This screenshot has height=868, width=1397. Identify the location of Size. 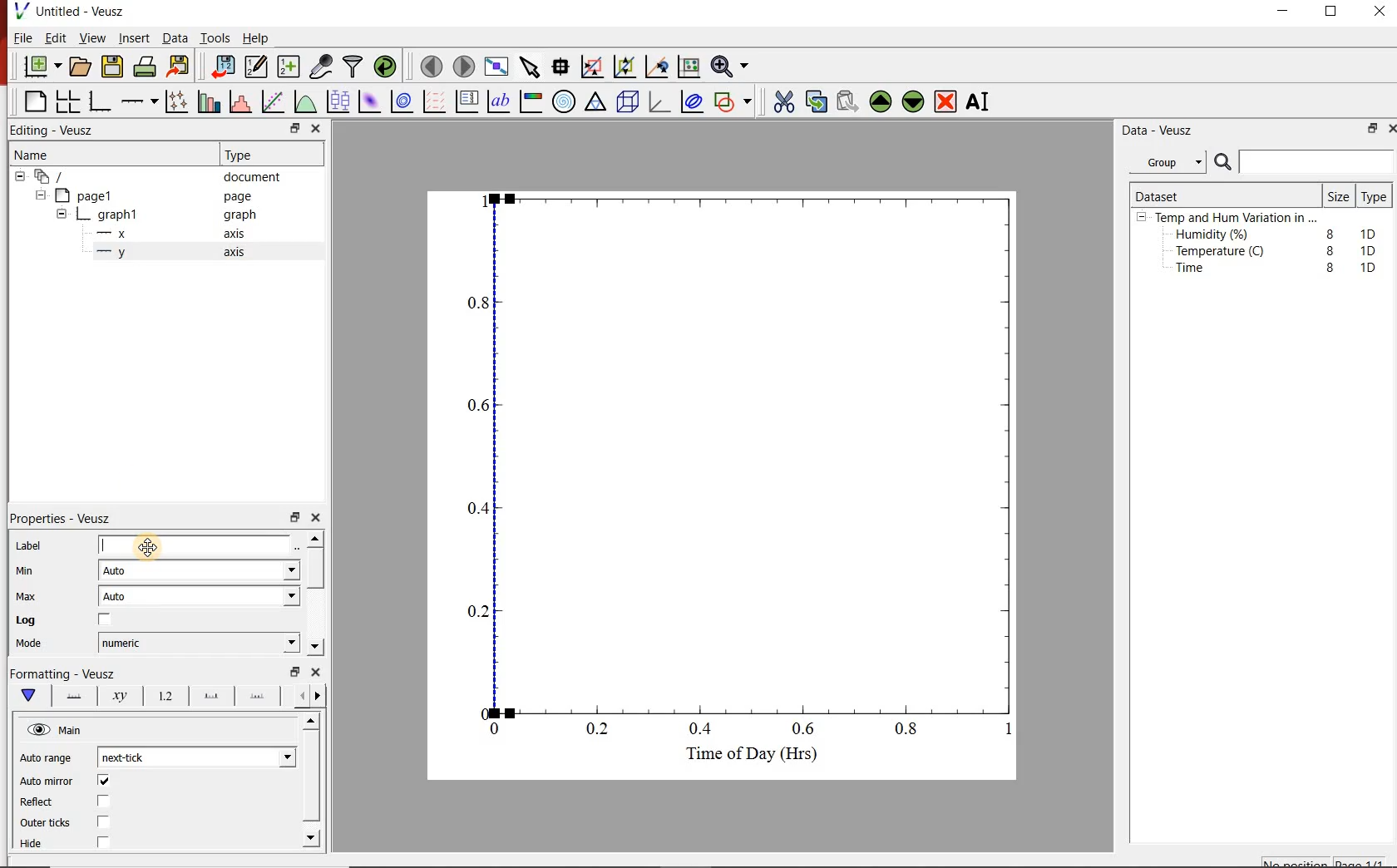
(1337, 195).